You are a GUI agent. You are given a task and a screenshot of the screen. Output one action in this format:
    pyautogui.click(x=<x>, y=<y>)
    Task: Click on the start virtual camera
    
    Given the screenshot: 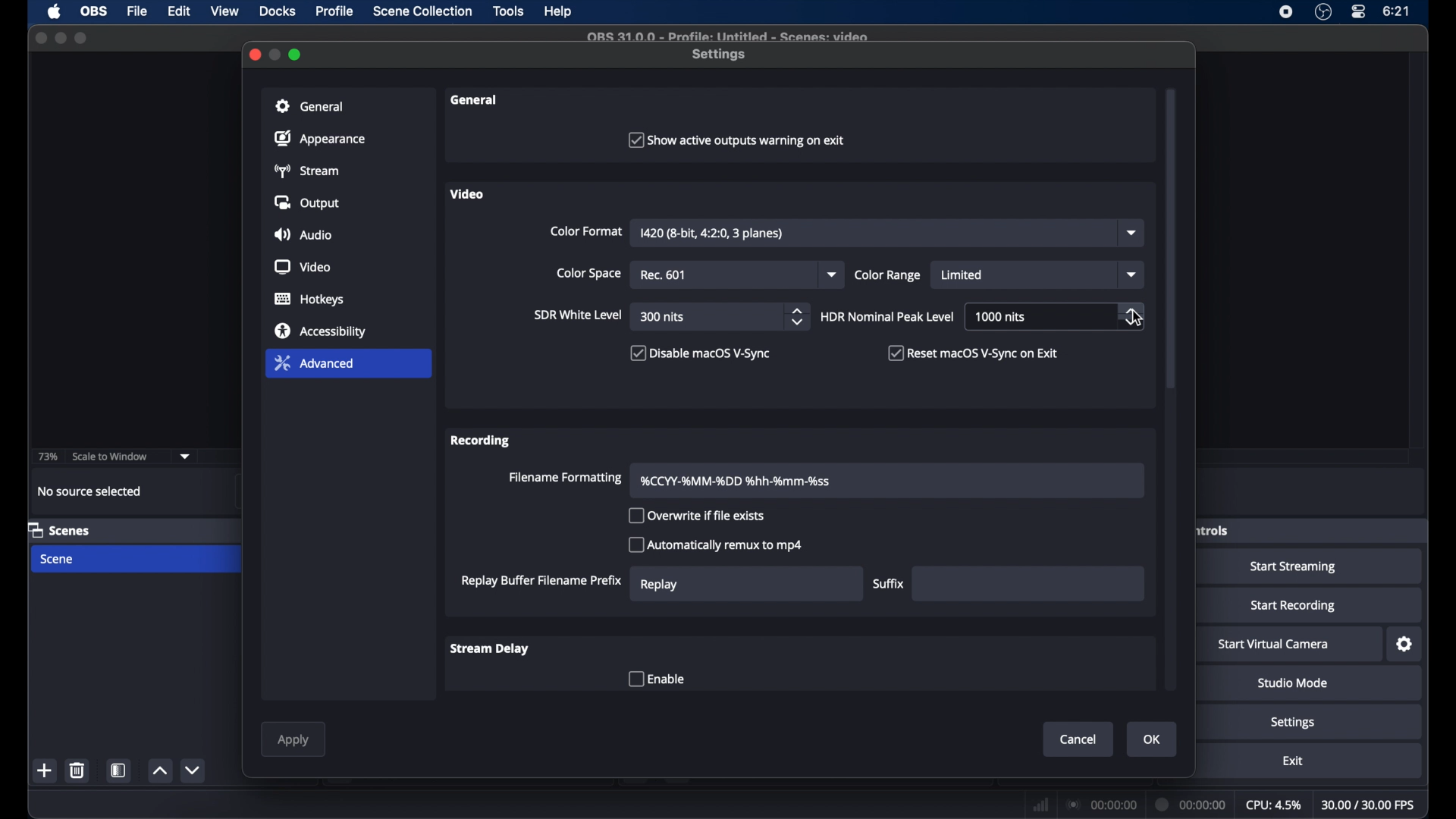 What is the action you would take?
    pyautogui.click(x=1273, y=645)
    